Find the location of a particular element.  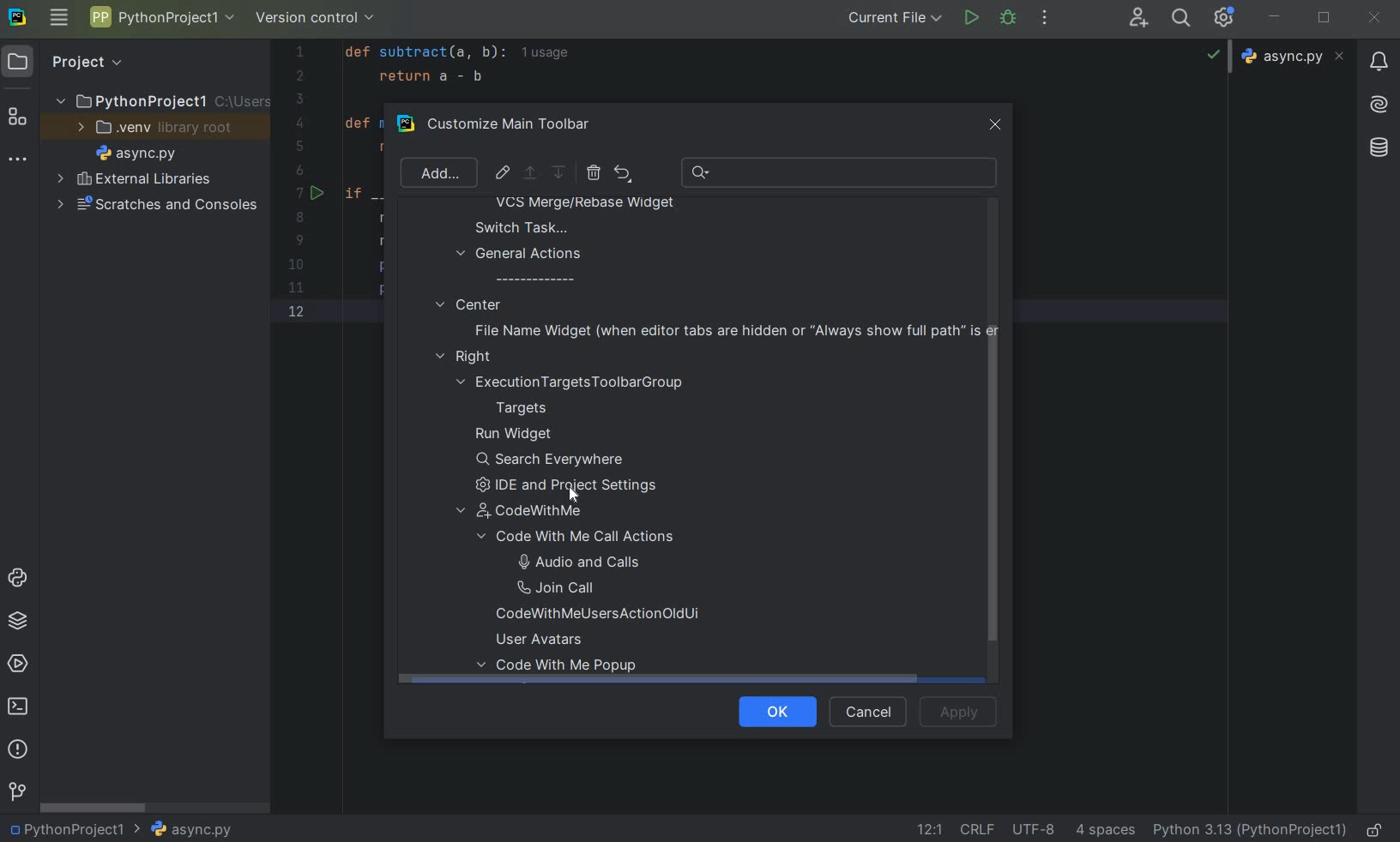

IDE & PROJECT SETTINGS is located at coordinates (1228, 19).